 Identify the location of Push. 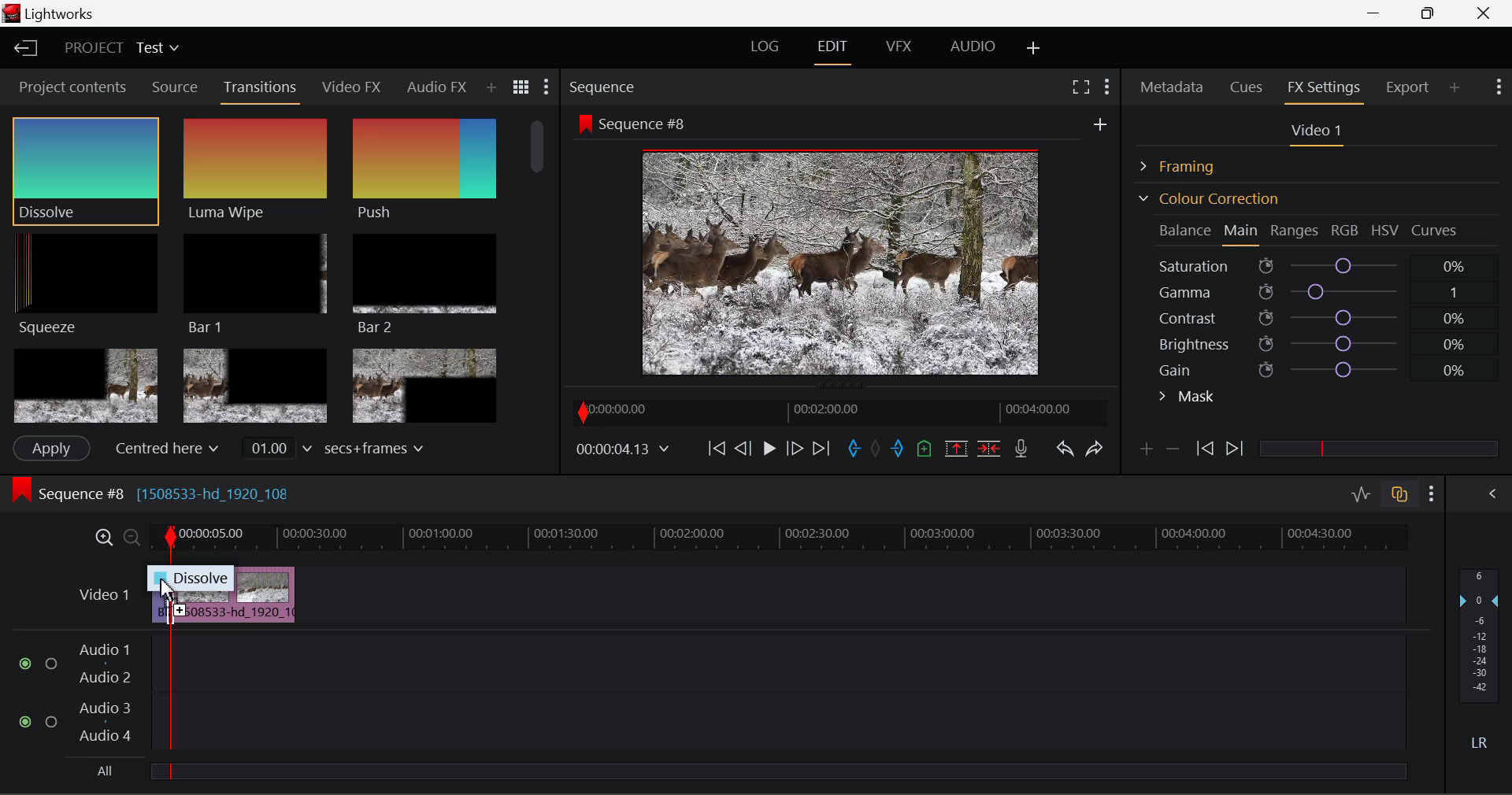
(424, 170).